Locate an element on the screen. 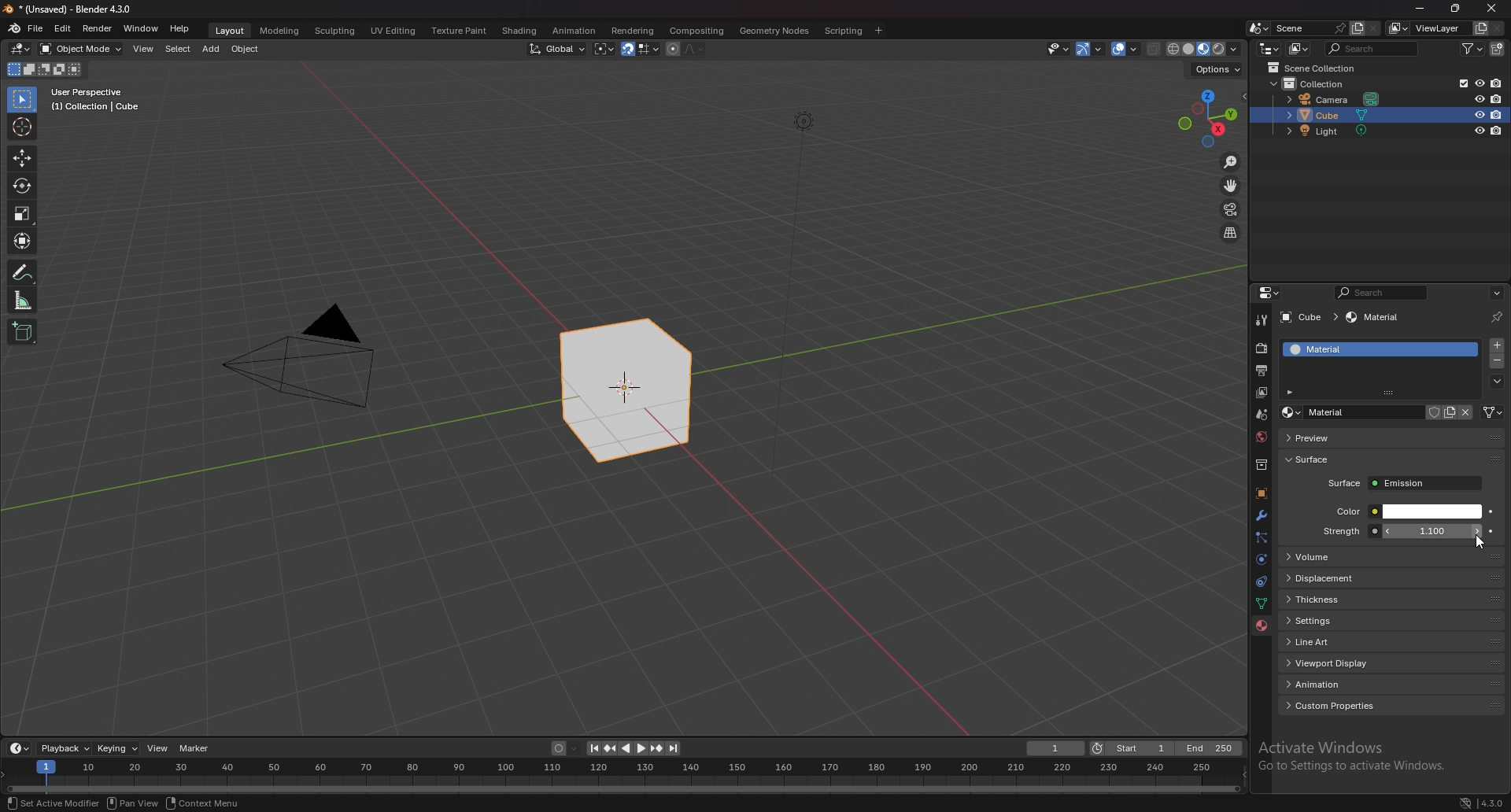 The height and width of the screenshot is (812, 1511). end 250 is located at coordinates (1210, 748).